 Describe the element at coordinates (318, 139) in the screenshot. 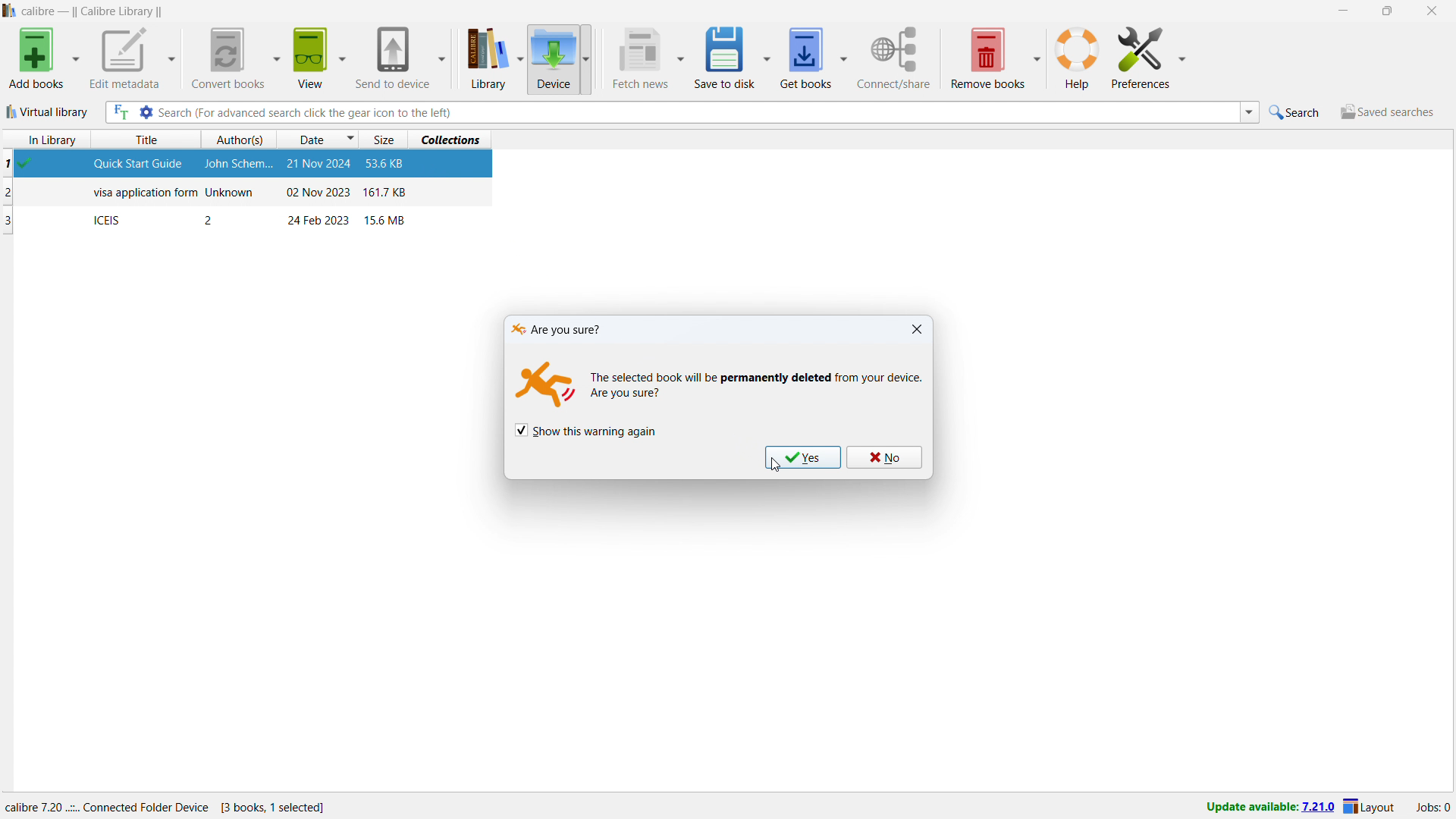

I see `sort by date` at that location.